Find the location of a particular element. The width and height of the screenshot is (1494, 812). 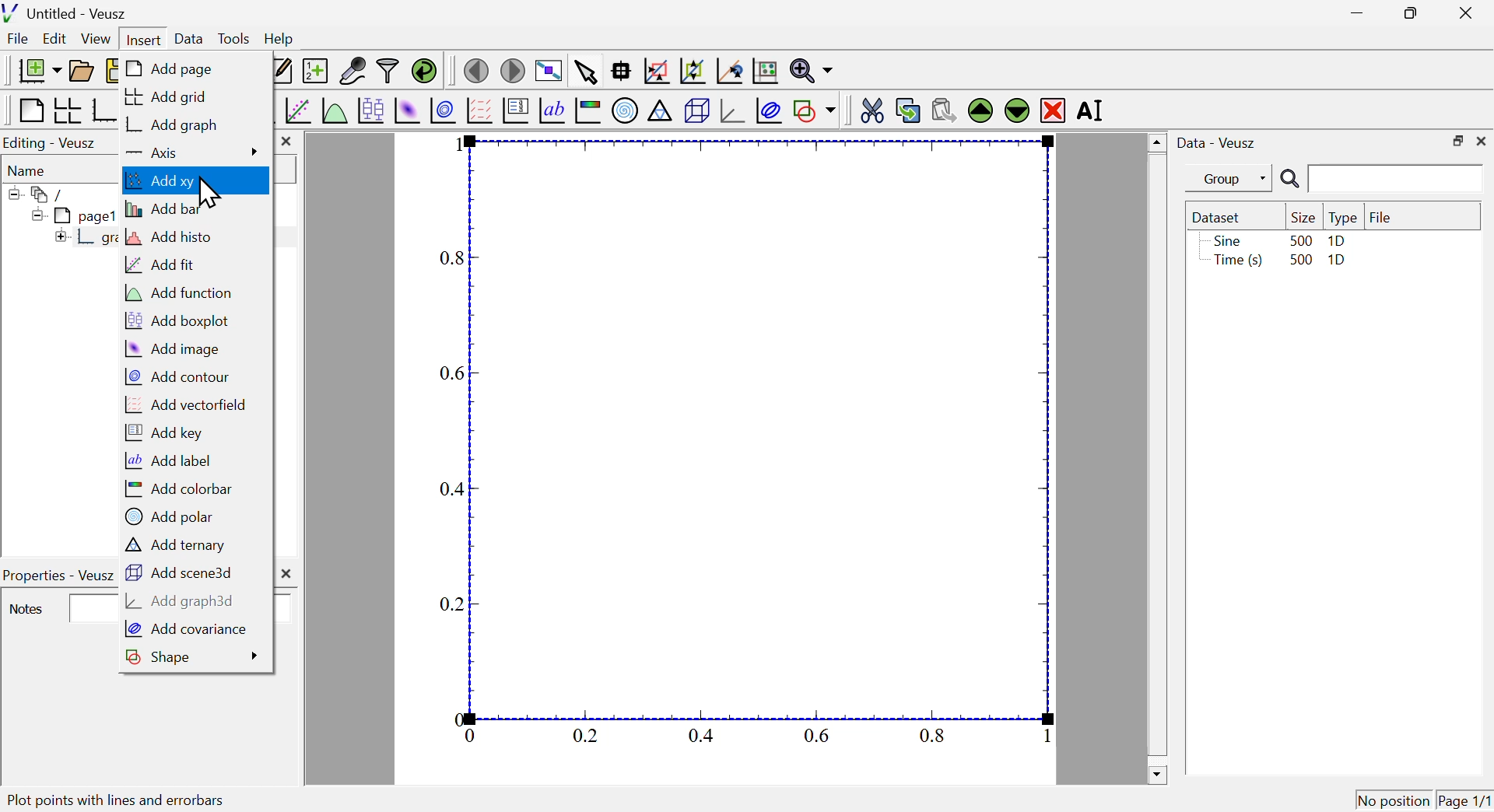

add key is located at coordinates (164, 434).